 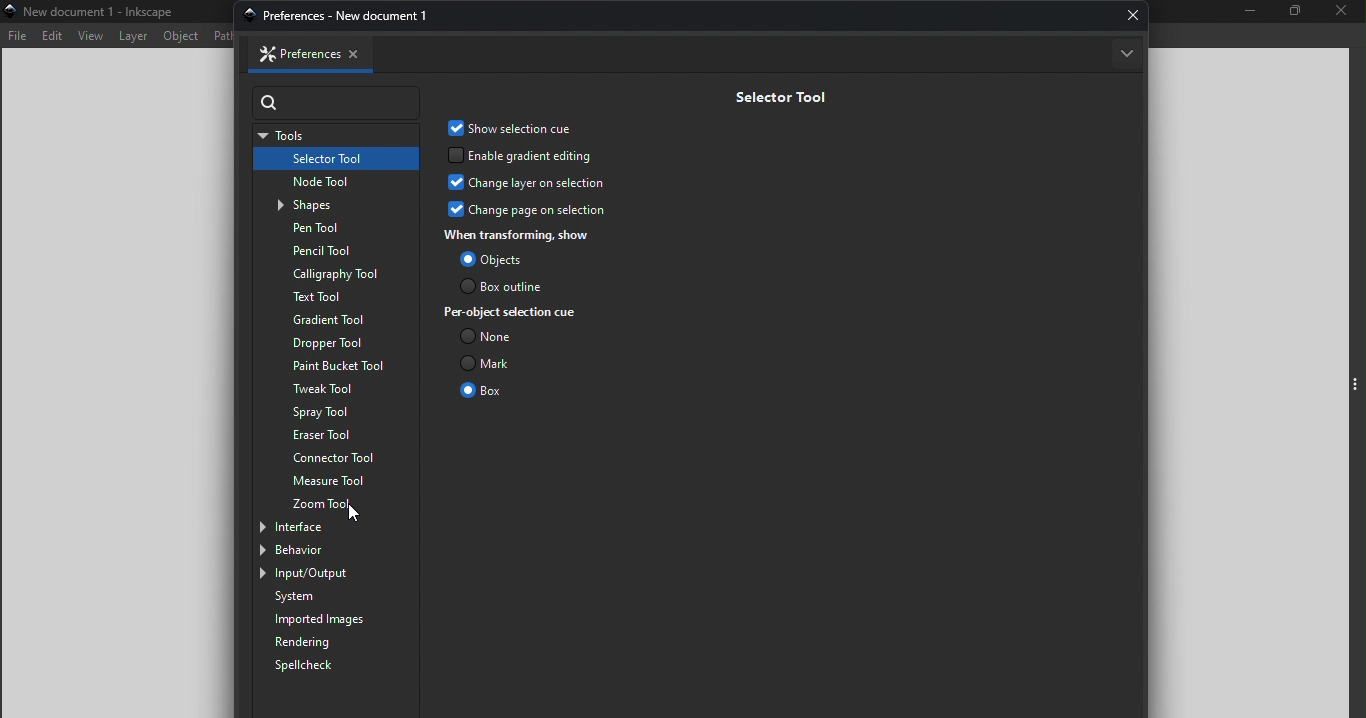 What do you see at coordinates (502, 285) in the screenshot?
I see `Box outline` at bounding box center [502, 285].